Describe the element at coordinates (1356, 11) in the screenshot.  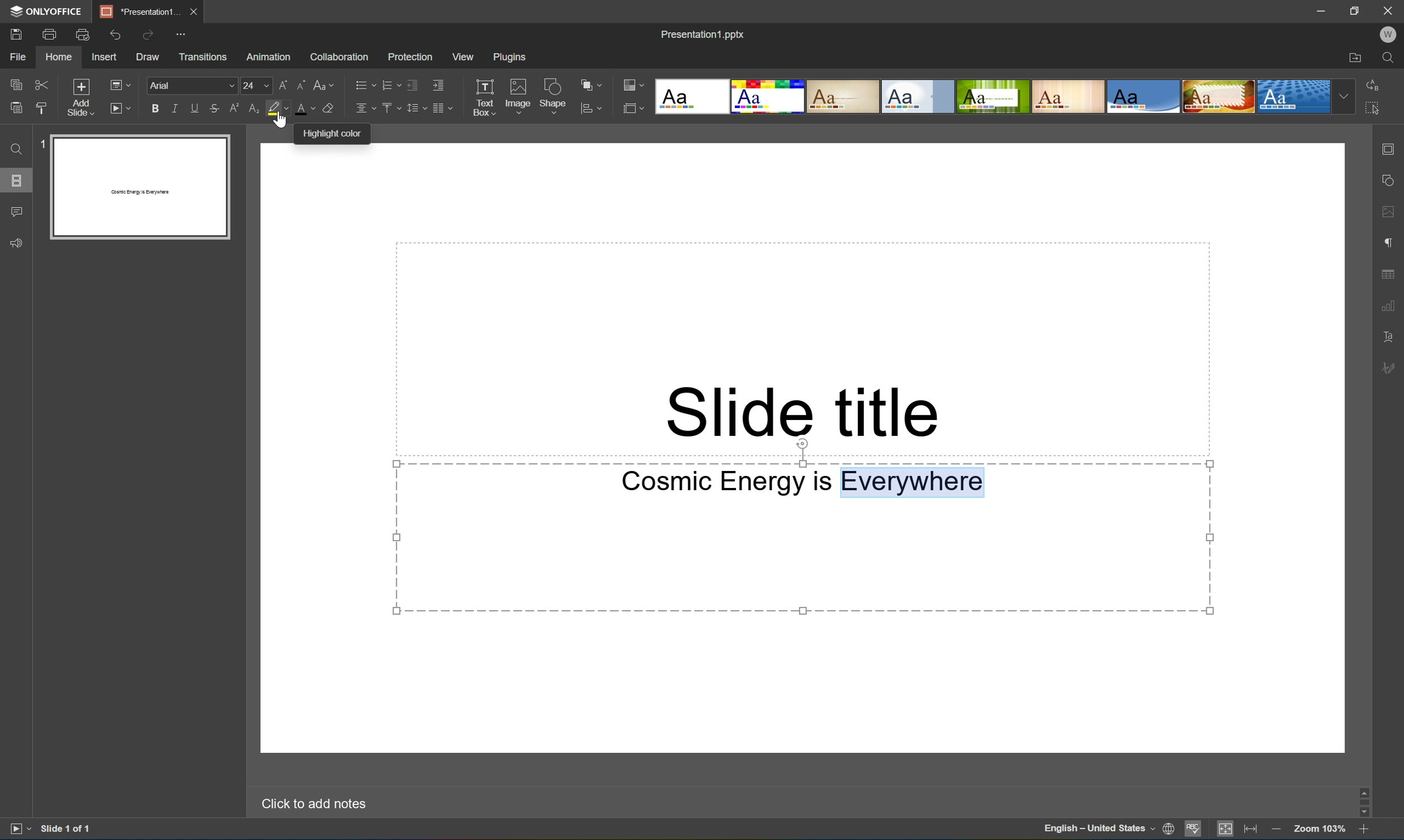
I see `Restore down` at that location.